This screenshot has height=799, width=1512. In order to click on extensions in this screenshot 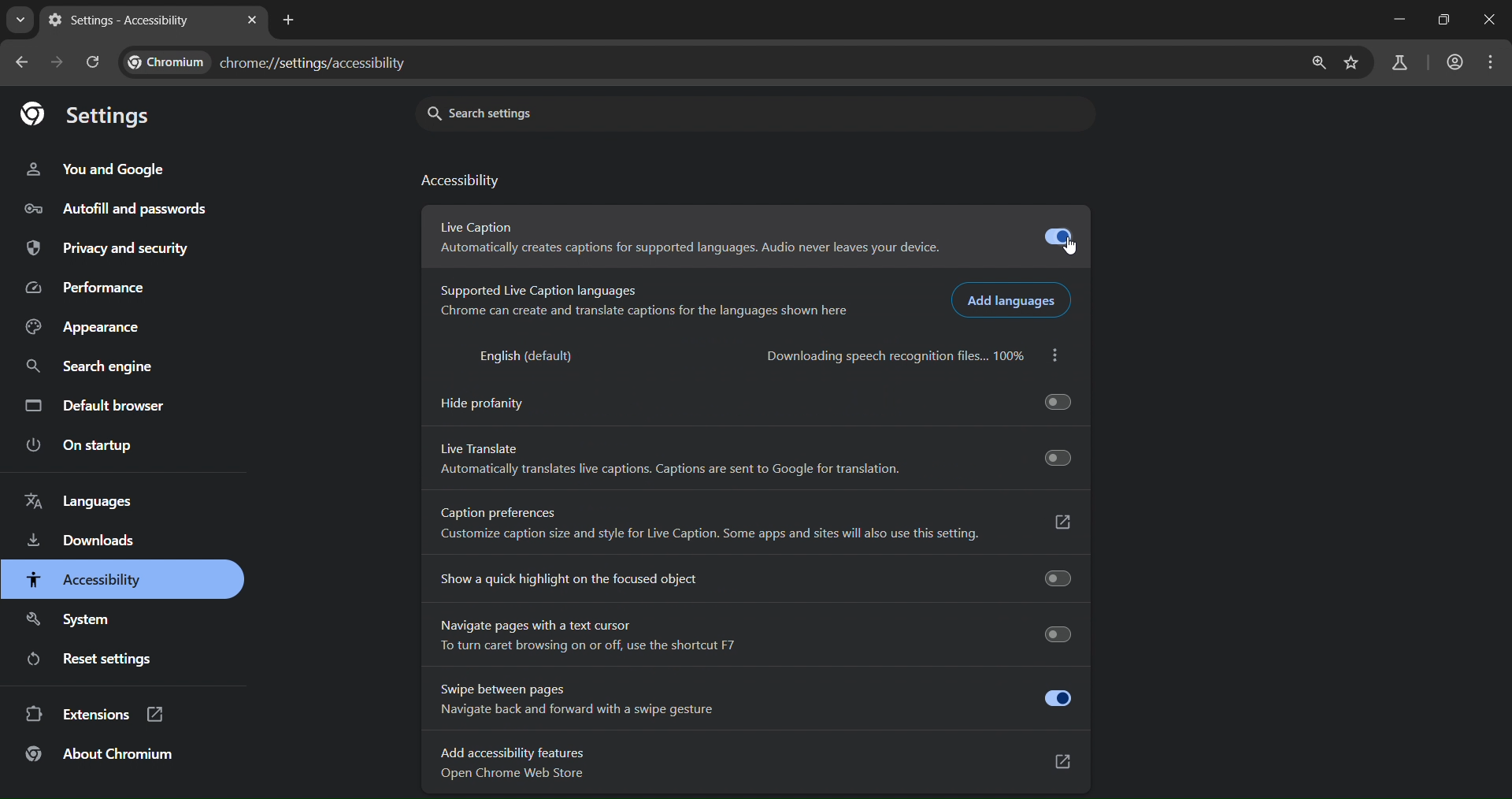, I will do `click(92, 715)`.